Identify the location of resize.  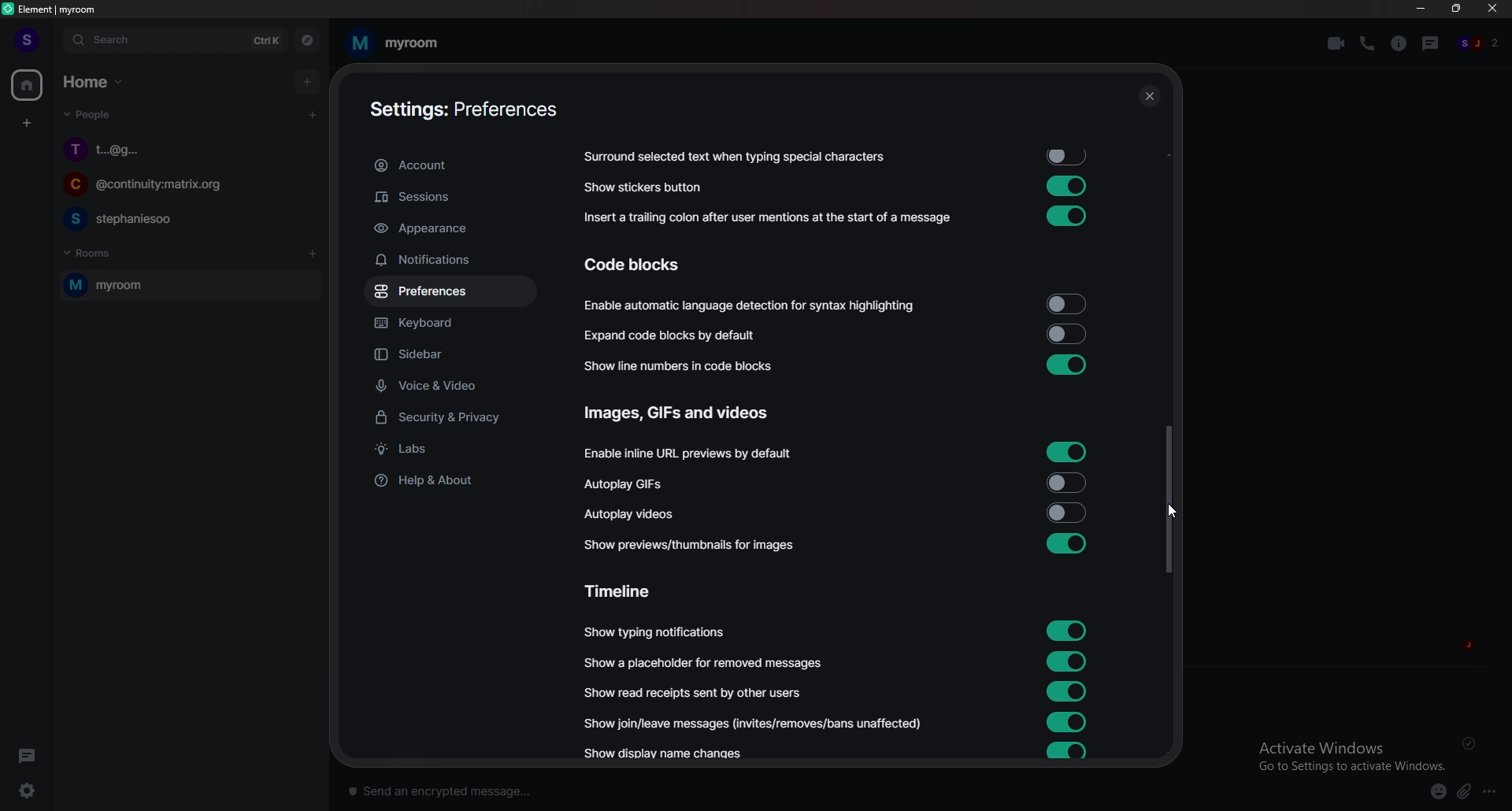
(1458, 9).